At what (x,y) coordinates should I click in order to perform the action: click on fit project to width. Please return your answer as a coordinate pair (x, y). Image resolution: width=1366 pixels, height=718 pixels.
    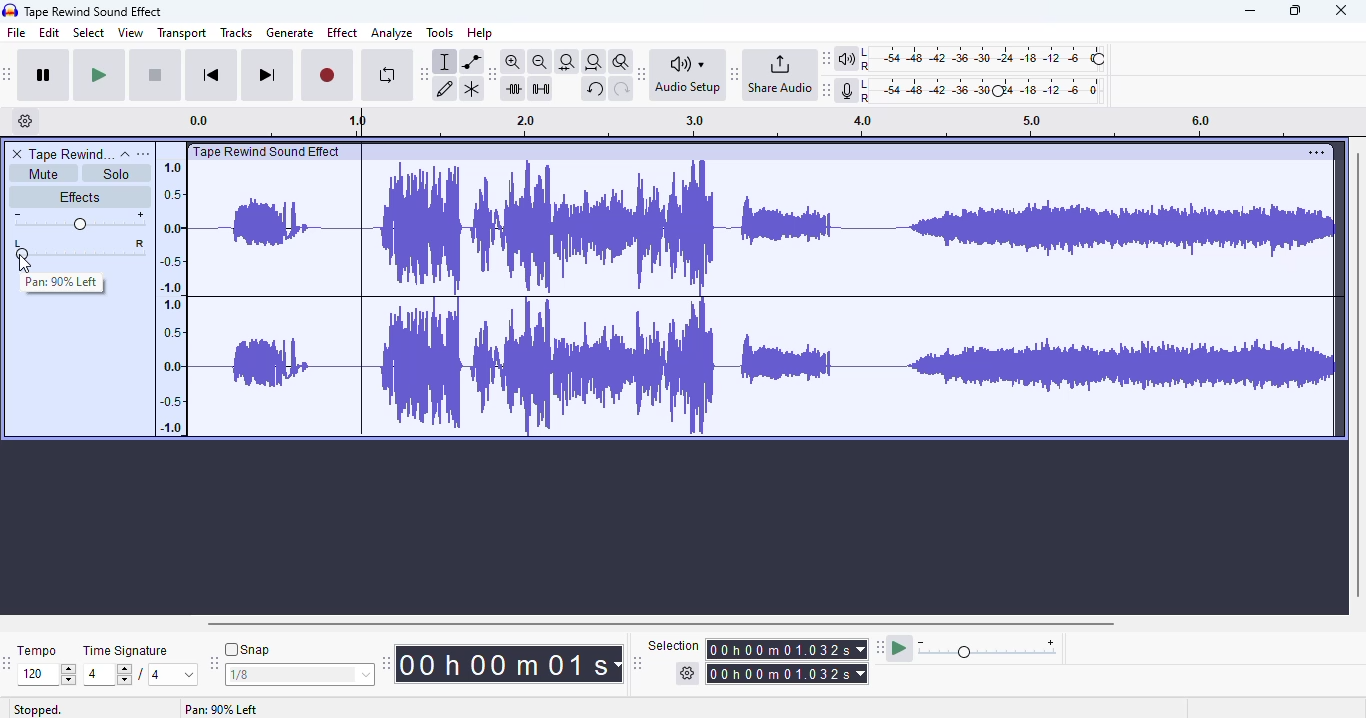
    Looking at the image, I should click on (594, 62).